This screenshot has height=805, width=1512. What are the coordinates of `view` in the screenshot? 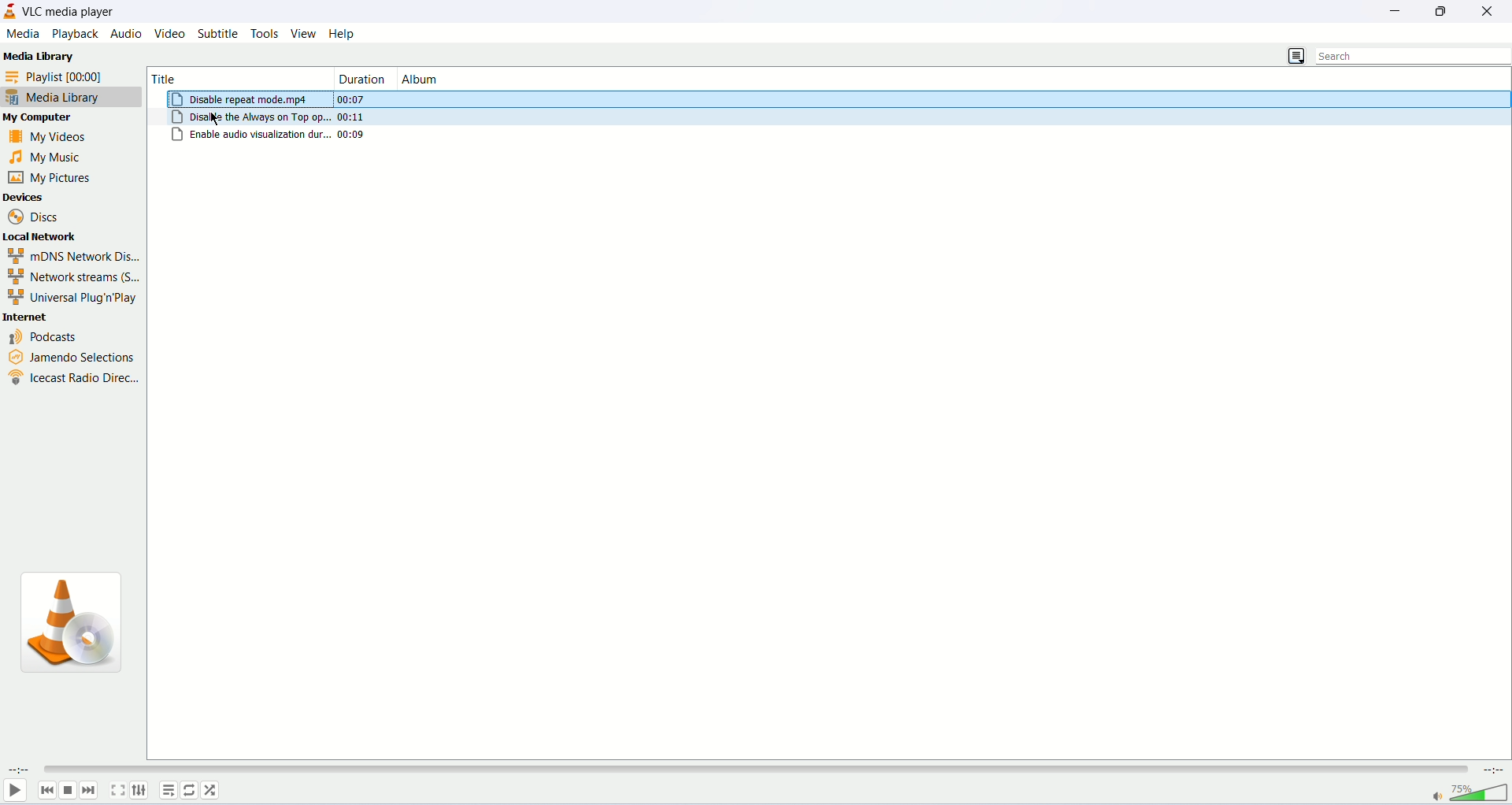 It's located at (303, 33).